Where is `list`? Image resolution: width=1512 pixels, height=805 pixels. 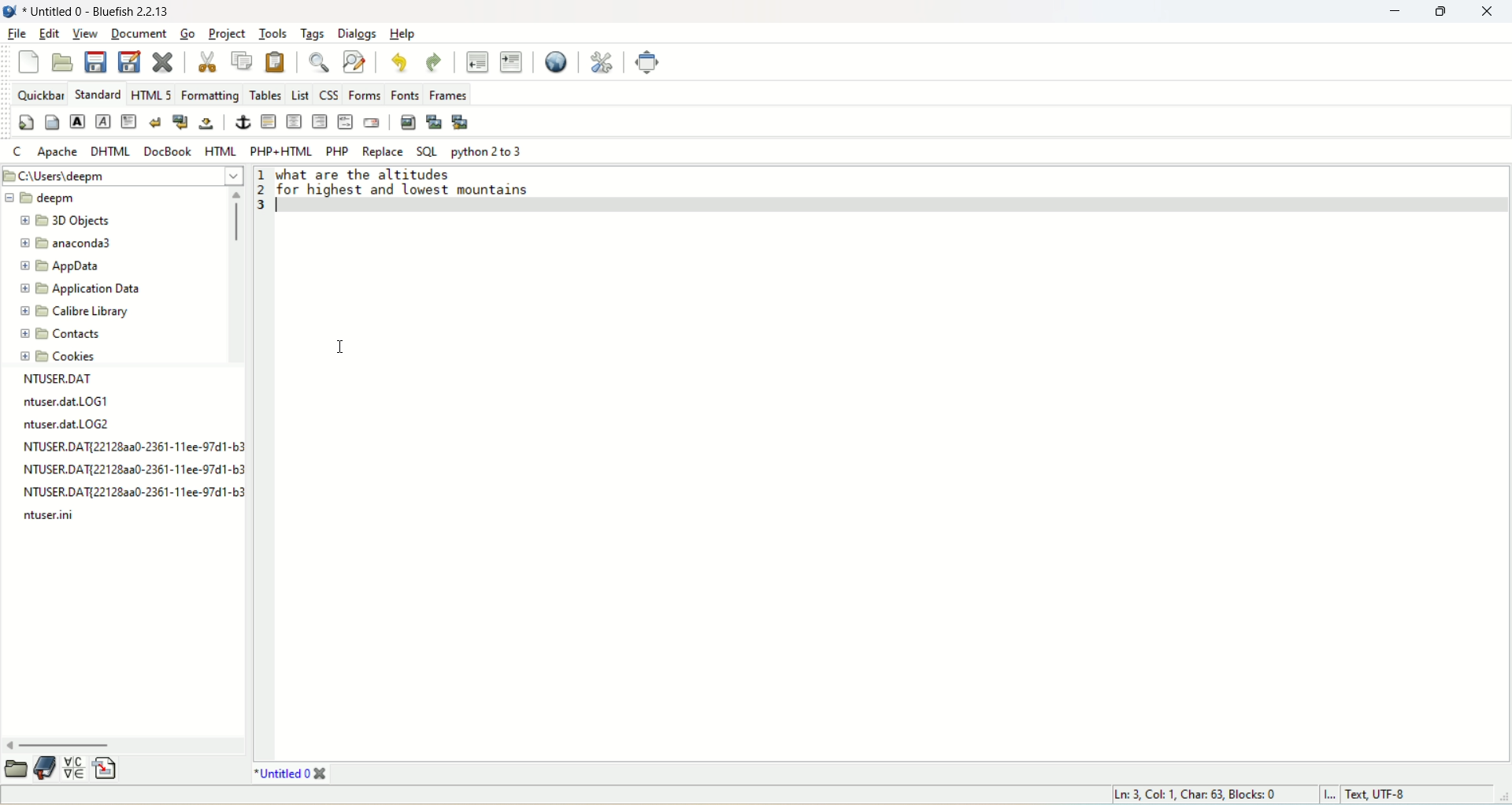
list is located at coordinates (299, 93).